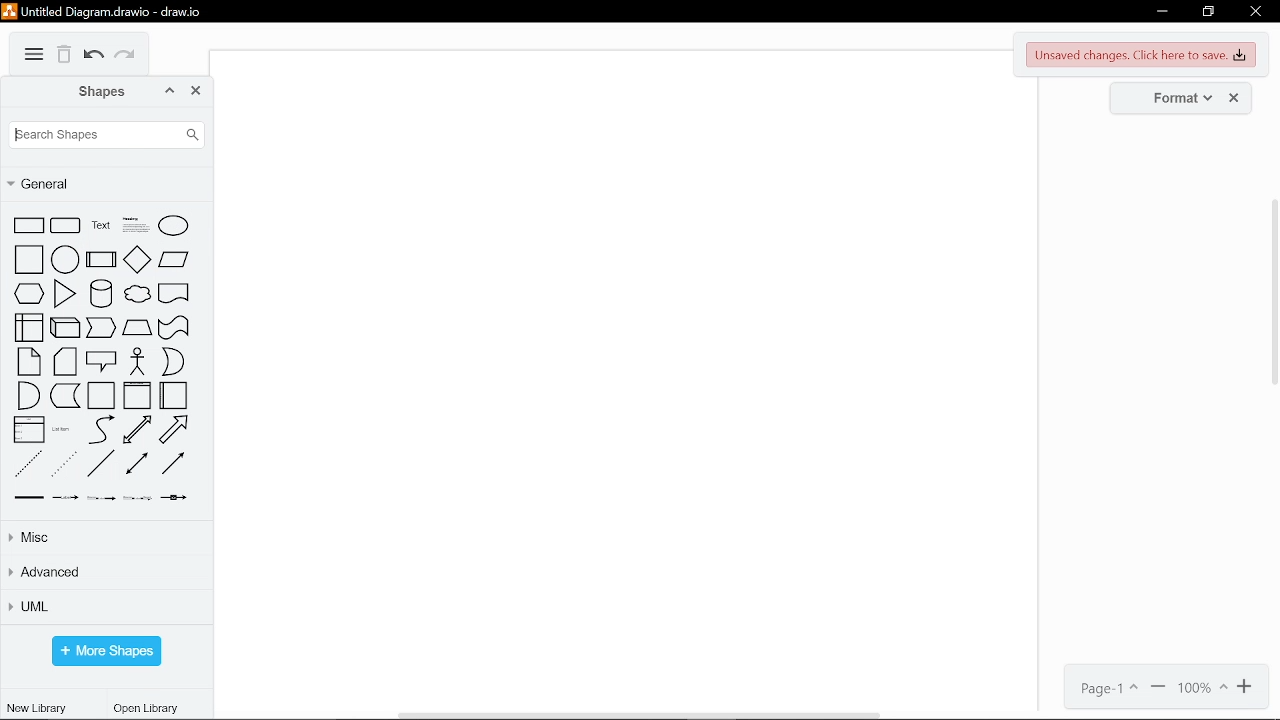 The height and width of the screenshot is (720, 1280). What do you see at coordinates (64, 295) in the screenshot?
I see `triangle` at bounding box center [64, 295].